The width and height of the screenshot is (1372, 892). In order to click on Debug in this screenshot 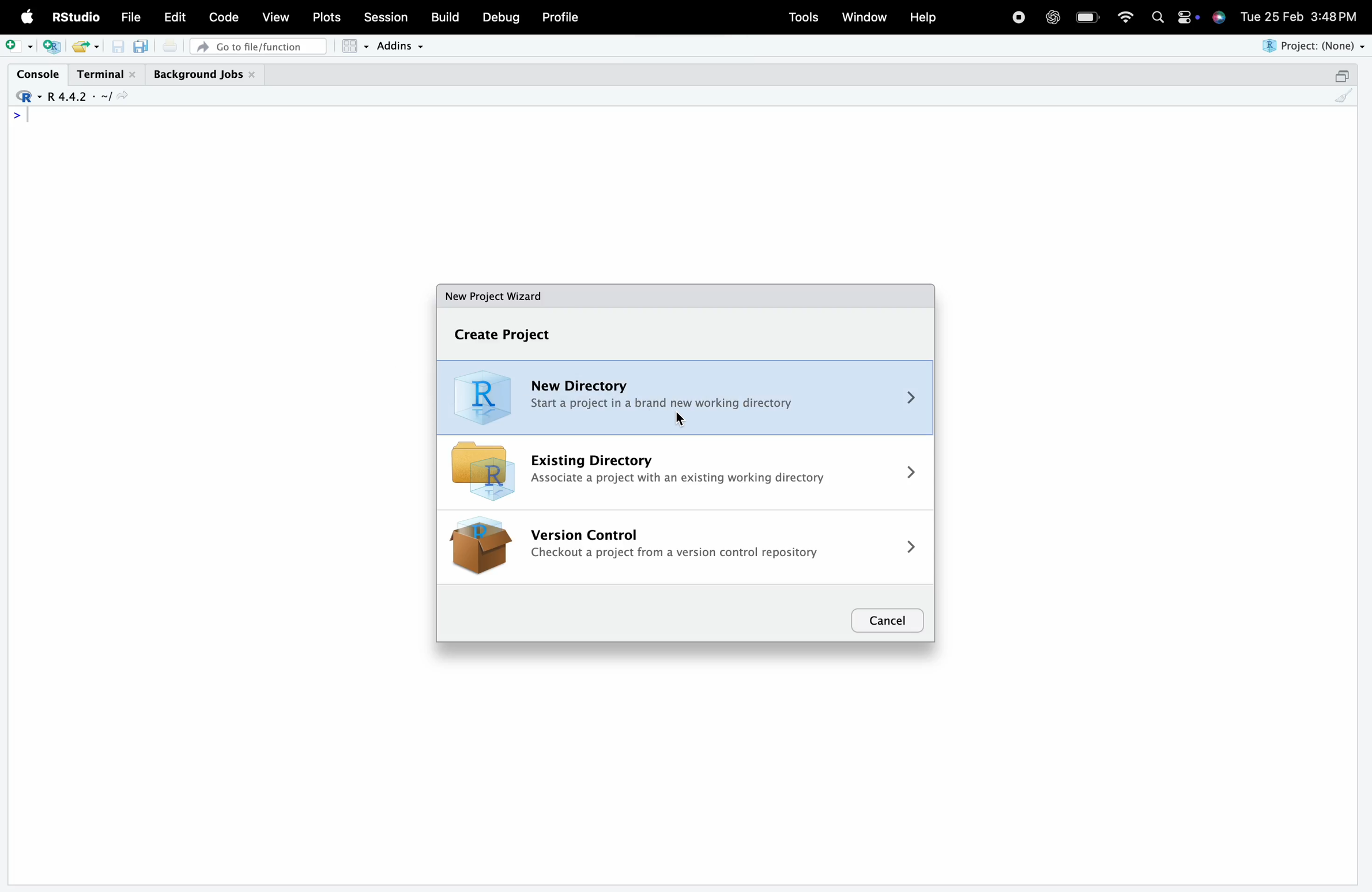, I will do `click(502, 17)`.